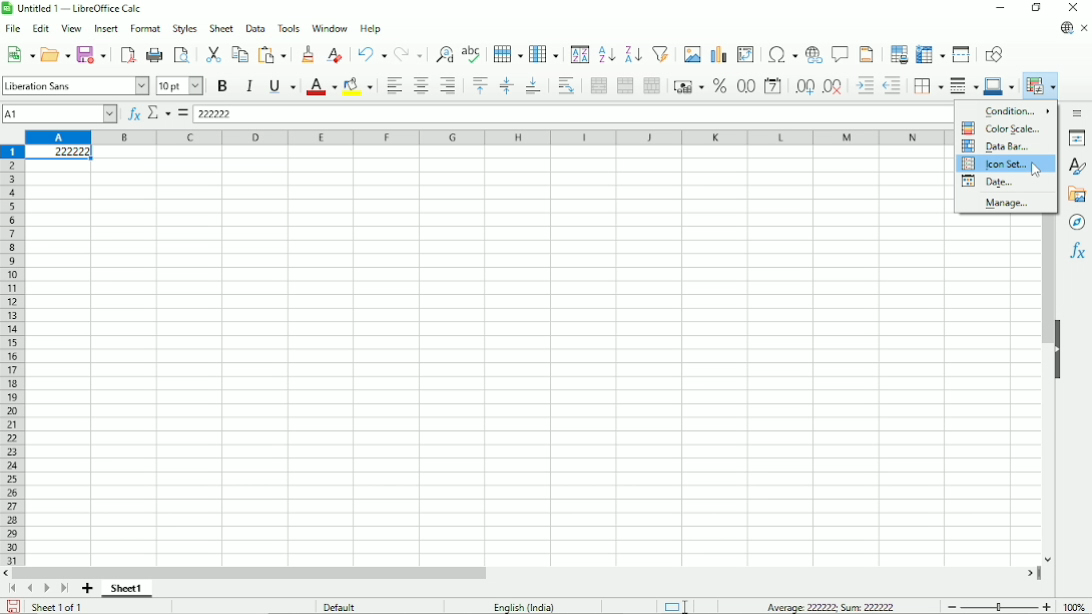 Image resolution: width=1092 pixels, height=614 pixels. I want to click on Italic, so click(249, 86).